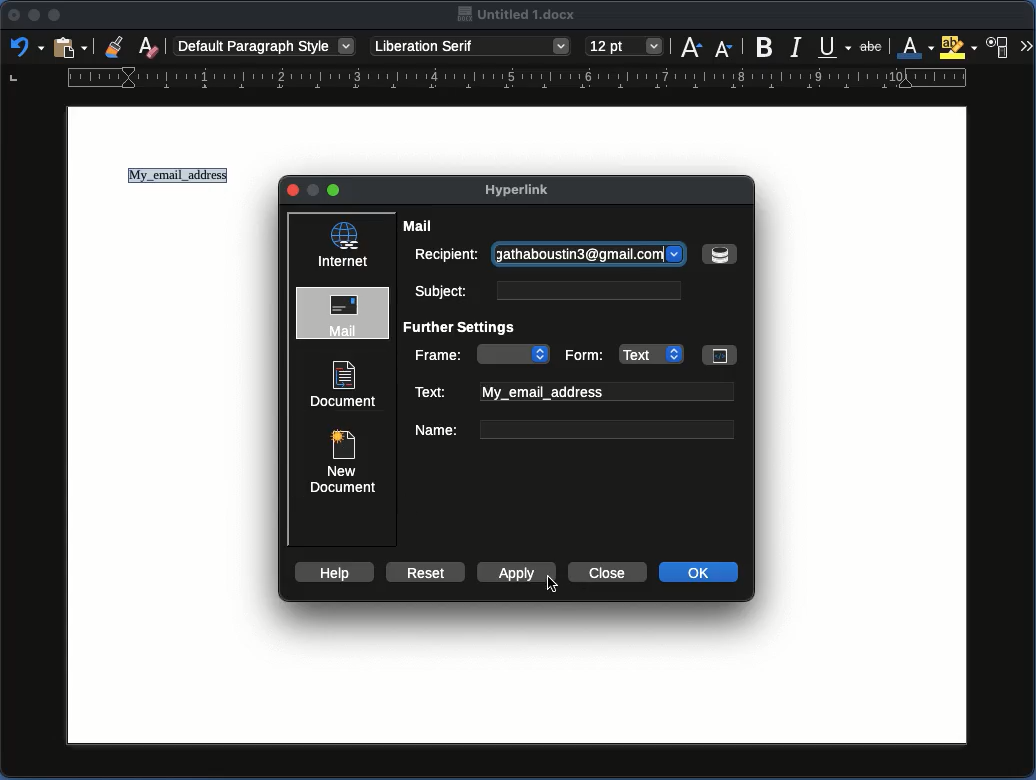 The height and width of the screenshot is (780, 1036). What do you see at coordinates (912, 47) in the screenshot?
I see `Font color` at bounding box center [912, 47].